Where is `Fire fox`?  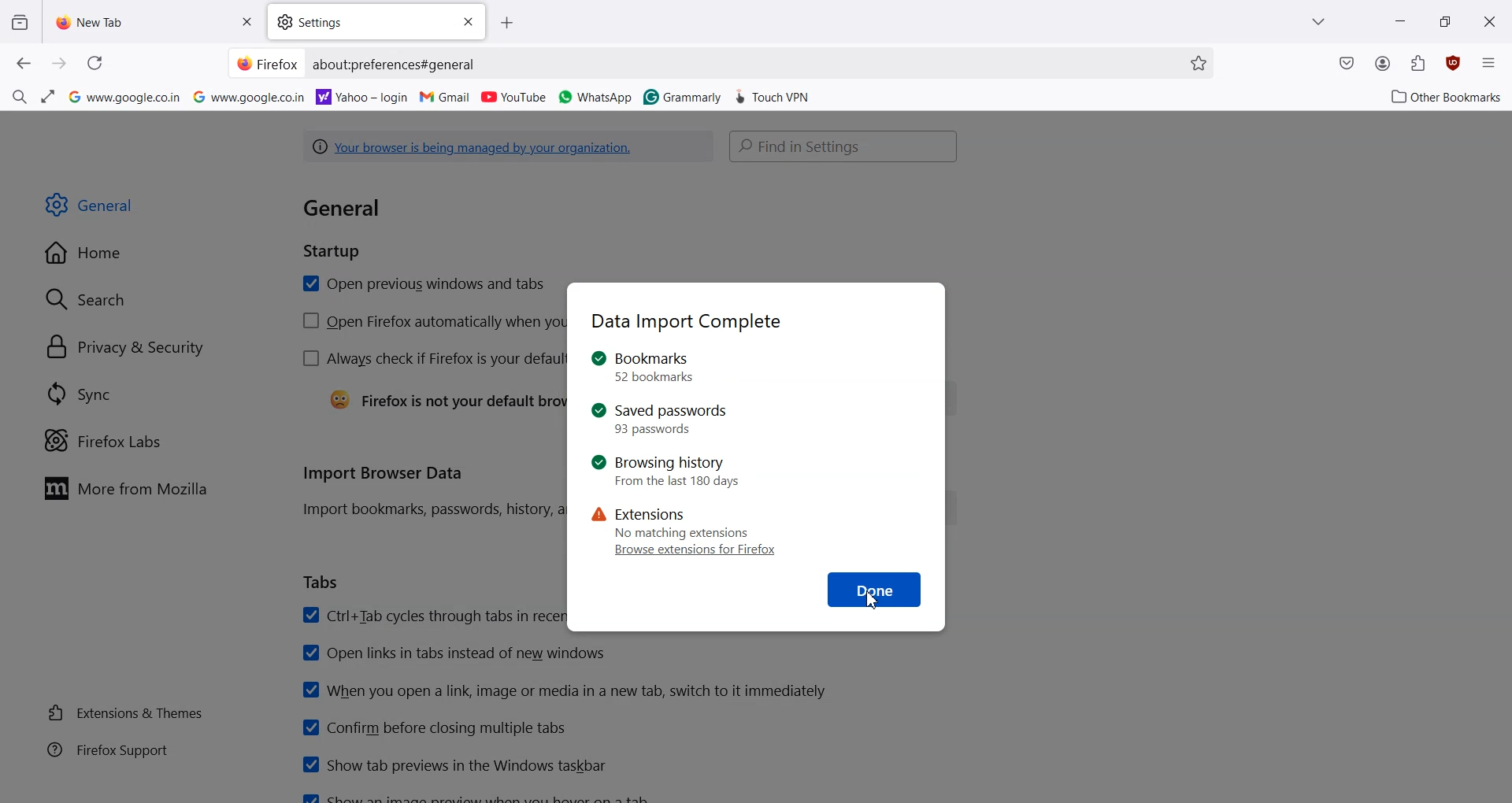 Fire fox is located at coordinates (267, 63).